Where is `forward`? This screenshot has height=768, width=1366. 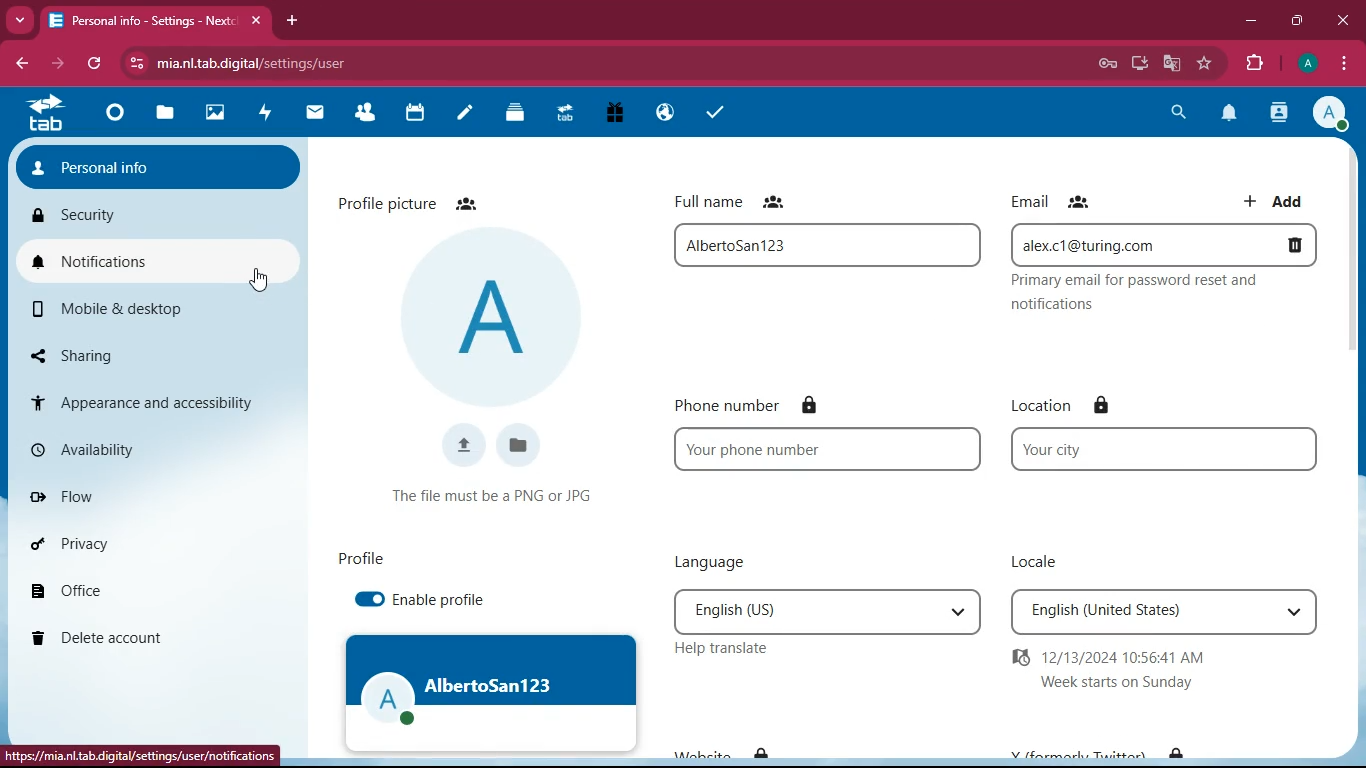 forward is located at coordinates (55, 64).